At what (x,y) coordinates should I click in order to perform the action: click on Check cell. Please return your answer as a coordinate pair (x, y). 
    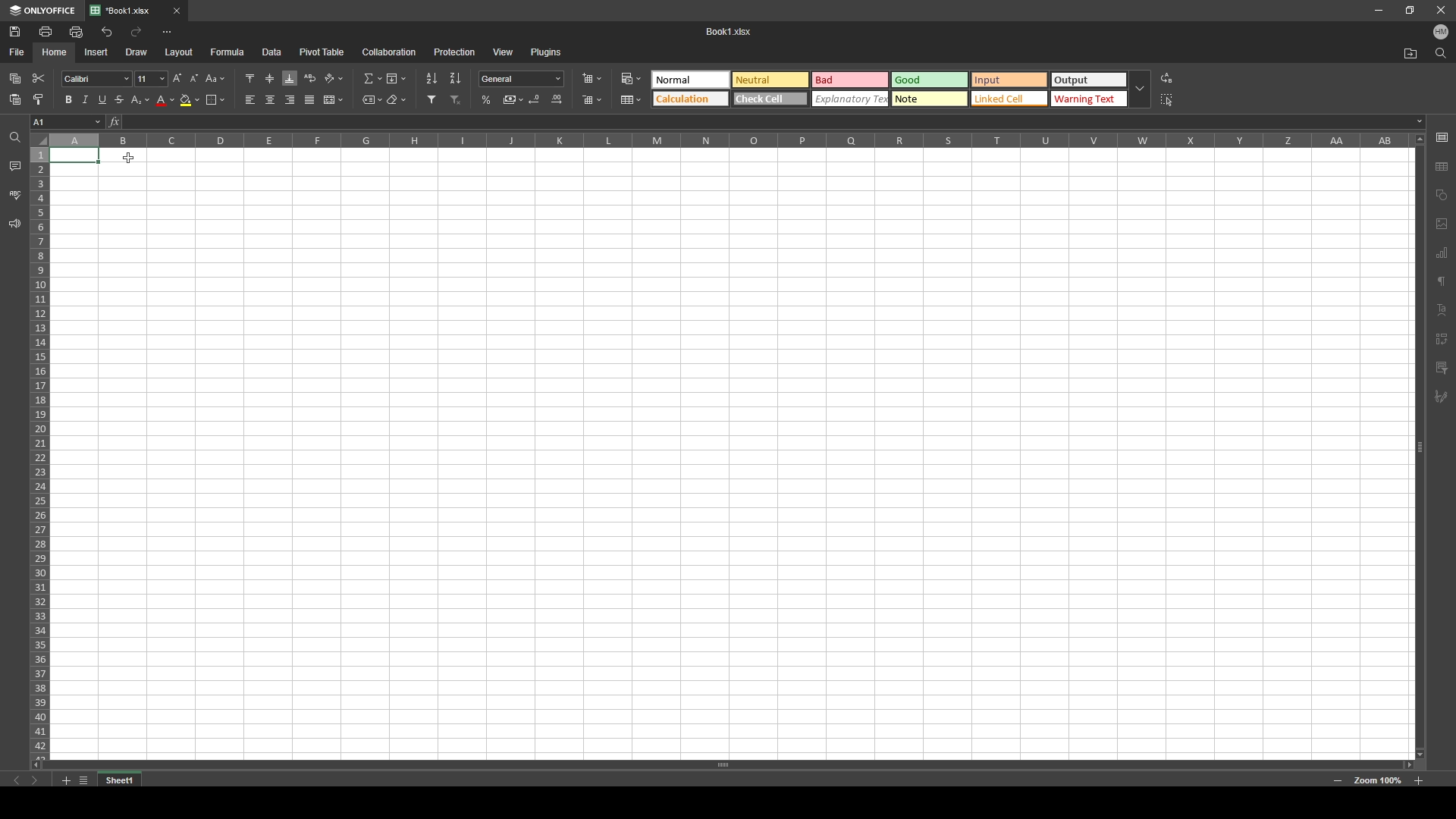
    Looking at the image, I should click on (770, 100).